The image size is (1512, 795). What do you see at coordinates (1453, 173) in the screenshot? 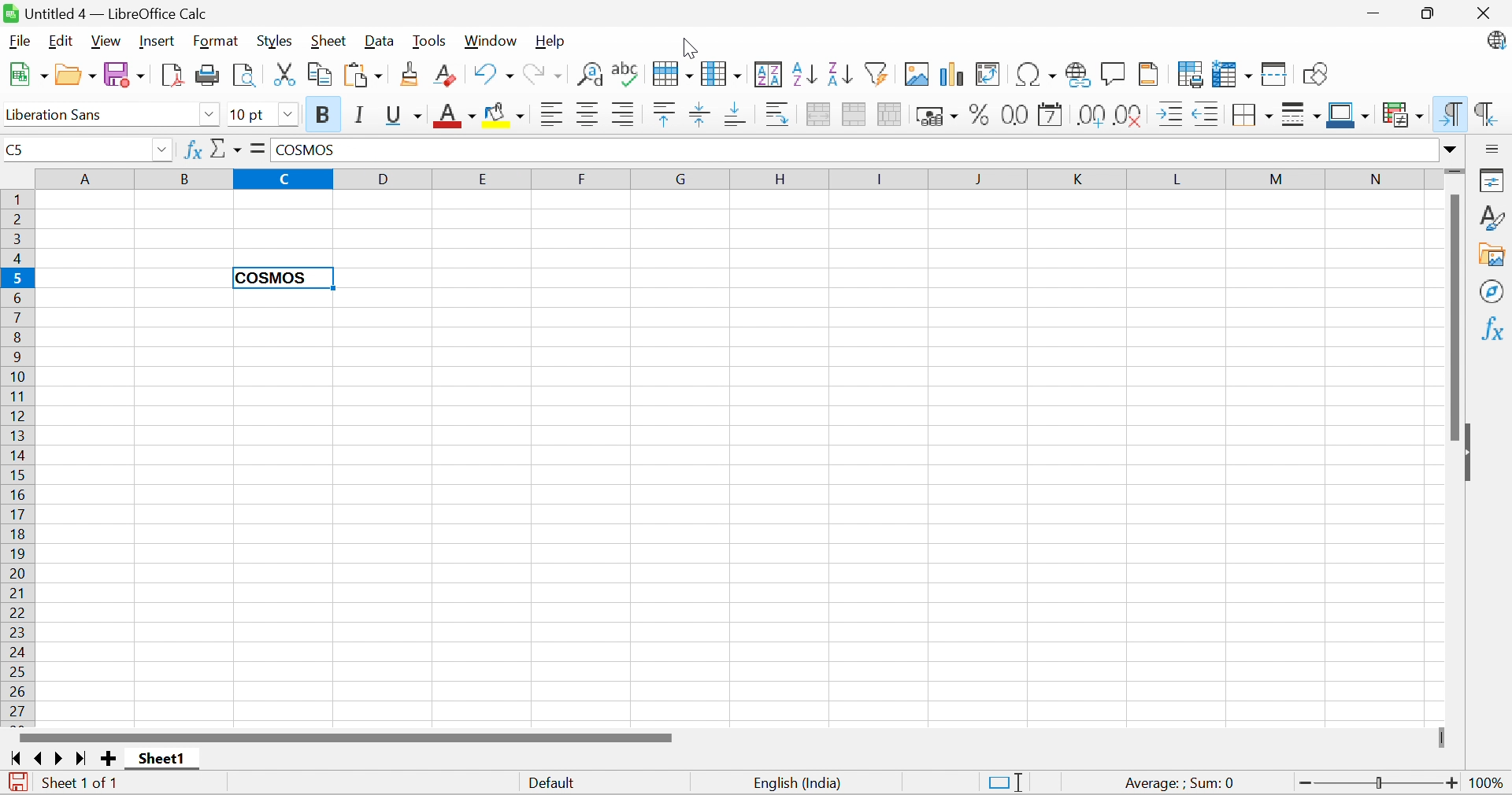
I see `Slider` at bounding box center [1453, 173].